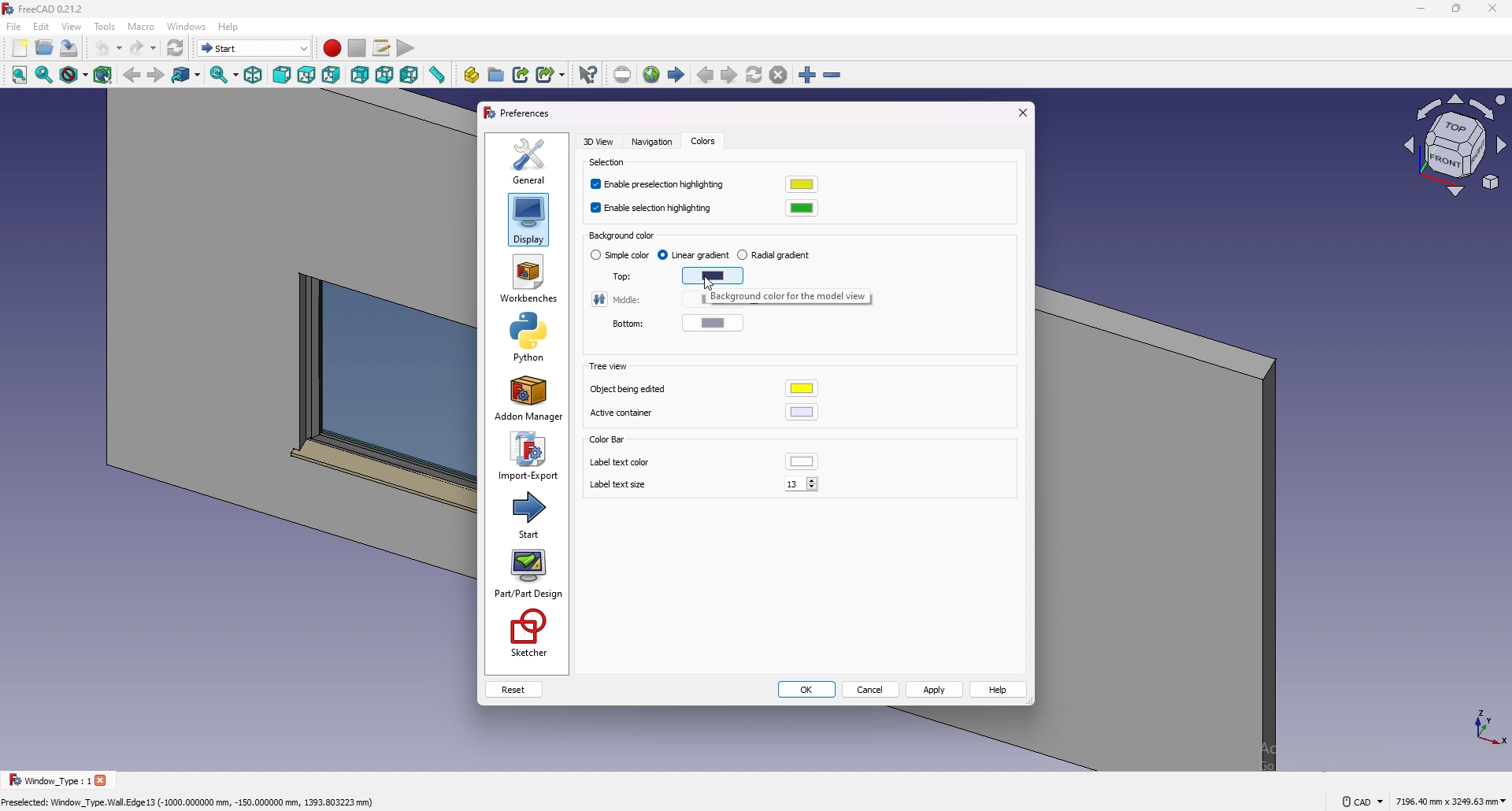 Image resolution: width=1512 pixels, height=811 pixels. Describe the element at coordinates (775, 255) in the screenshot. I see `radial gradient` at that location.